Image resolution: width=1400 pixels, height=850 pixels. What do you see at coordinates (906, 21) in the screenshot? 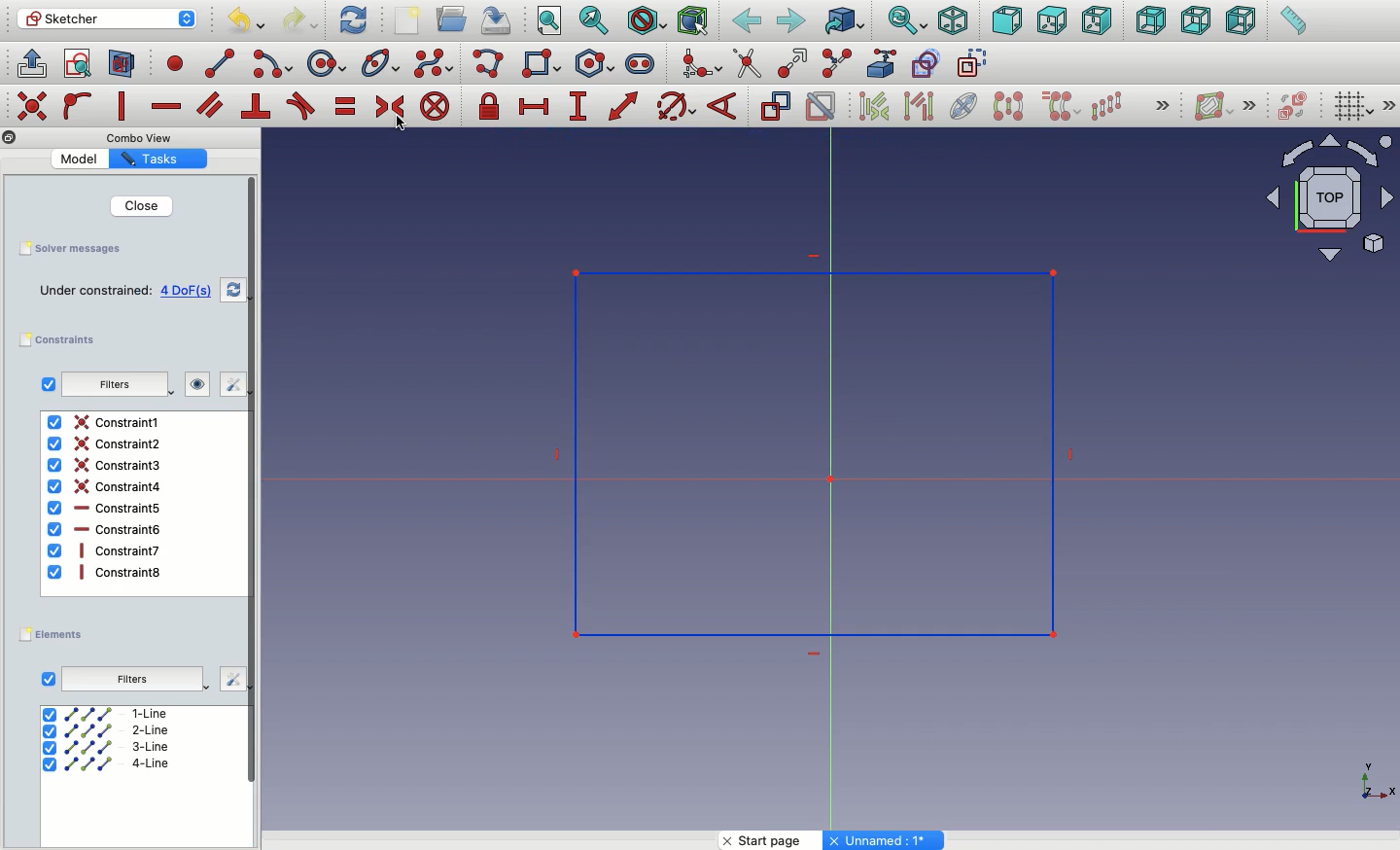
I see `Sync view` at bounding box center [906, 21].